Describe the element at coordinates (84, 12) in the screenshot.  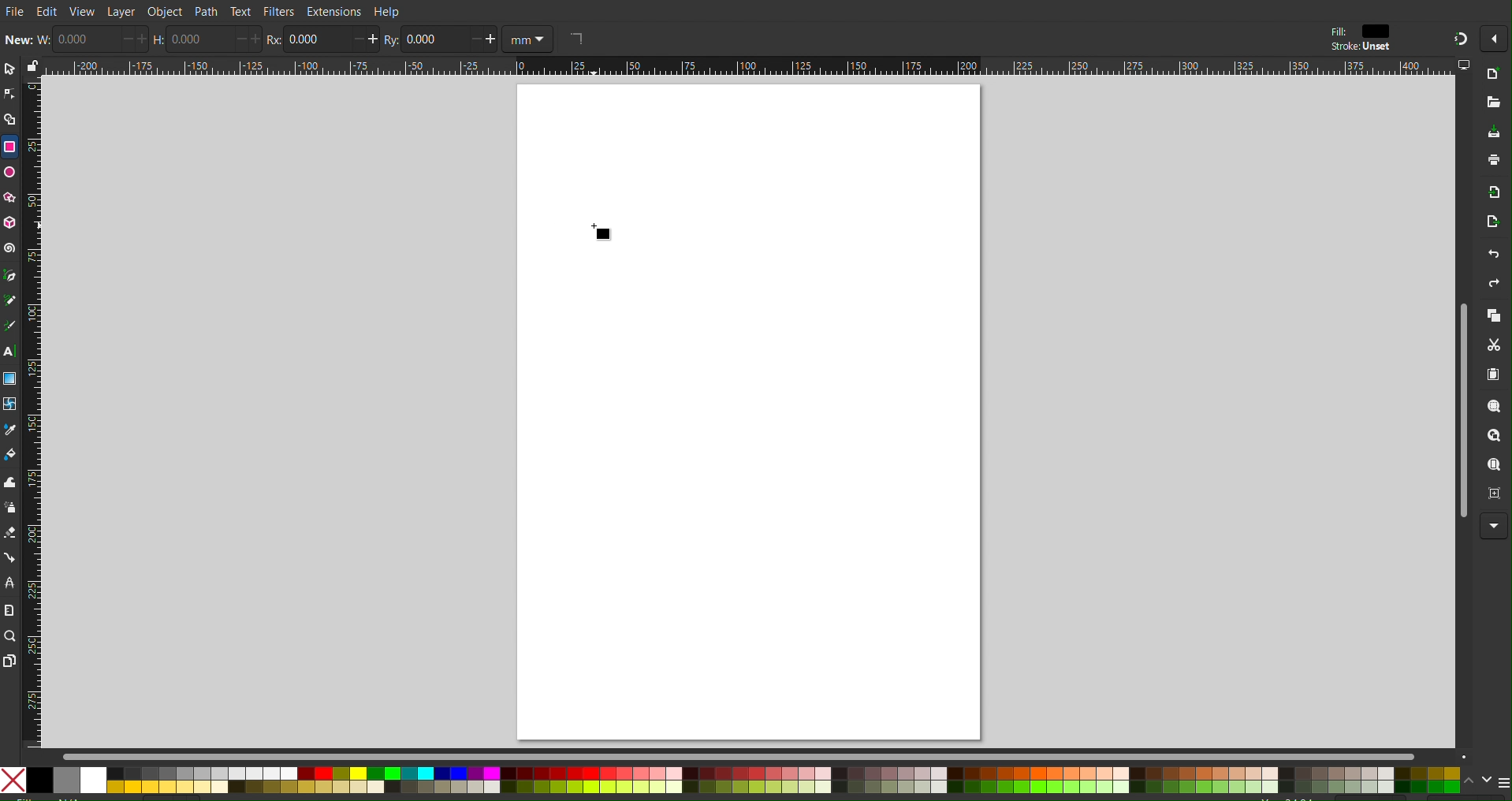
I see `View` at that location.